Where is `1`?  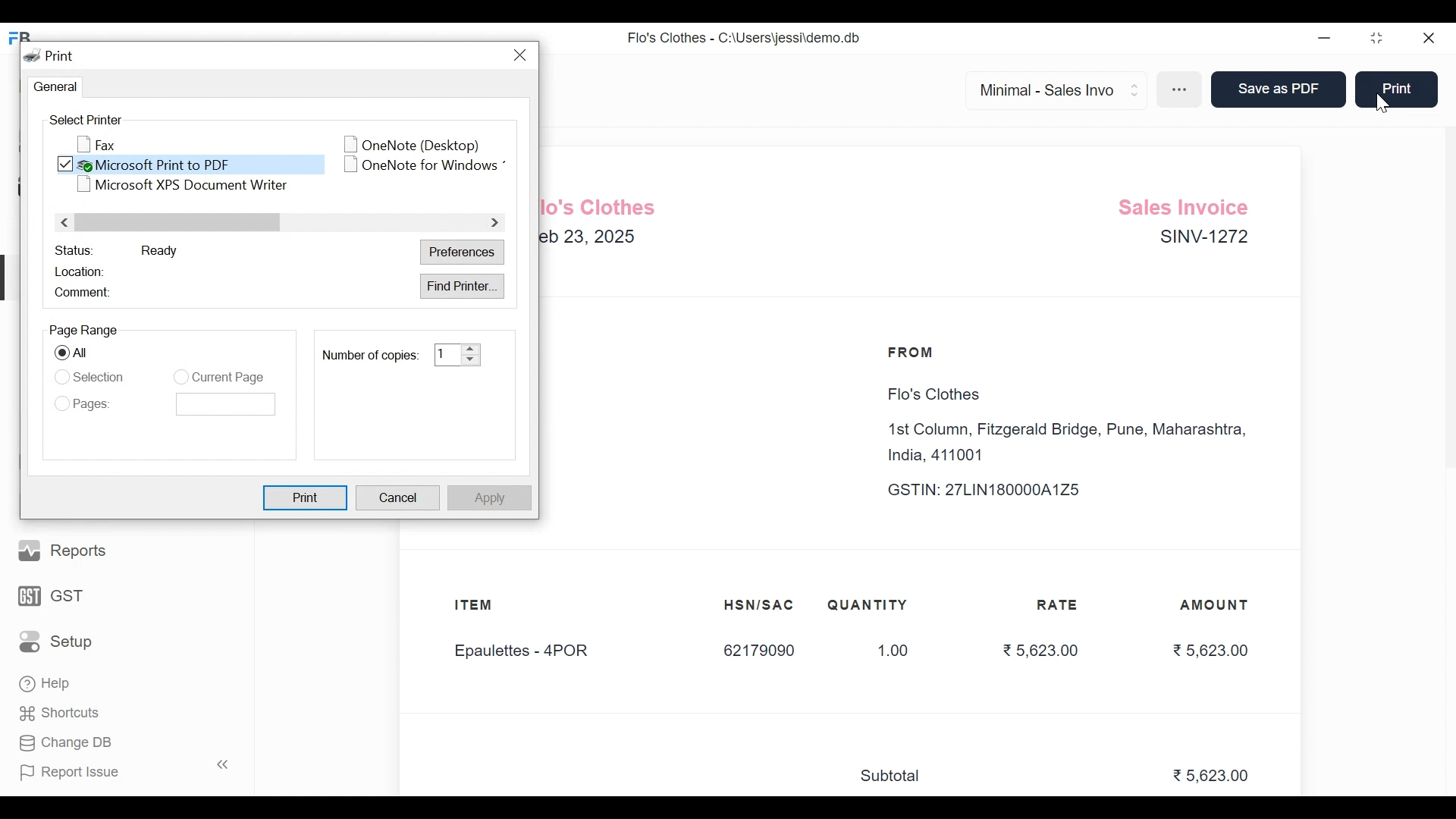
1 is located at coordinates (446, 354).